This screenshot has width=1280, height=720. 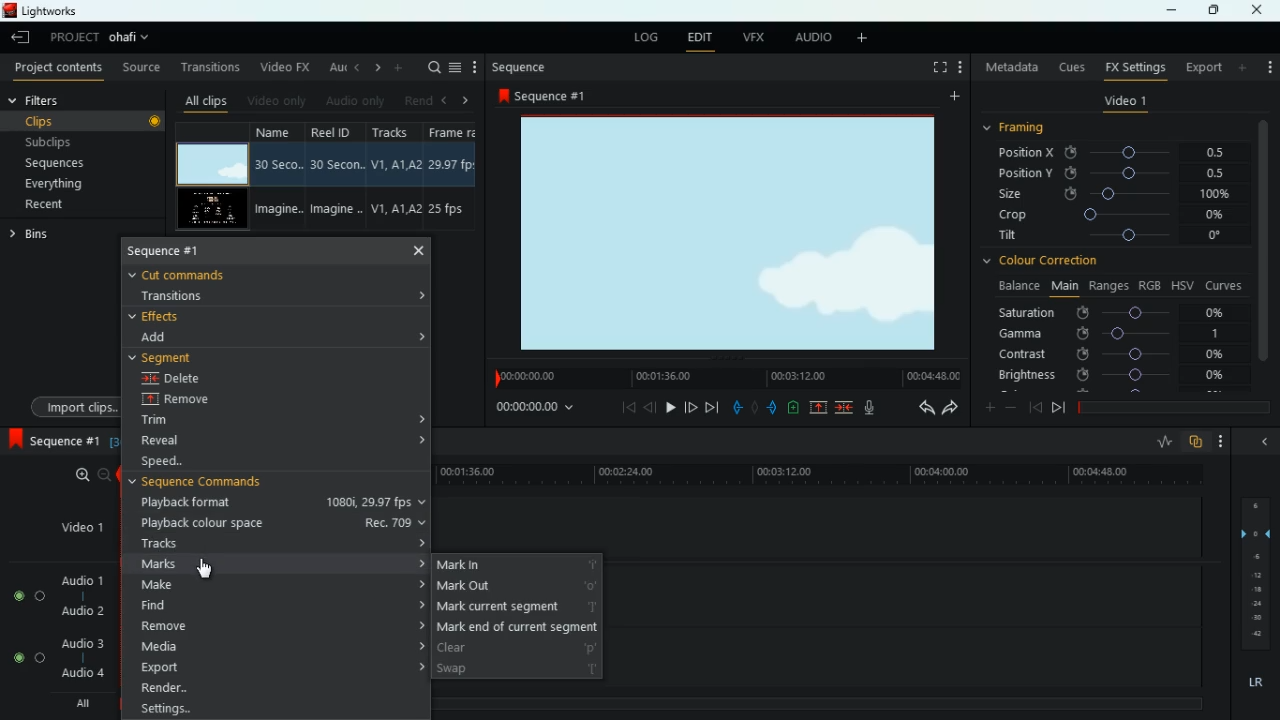 I want to click on close, so click(x=1259, y=10).